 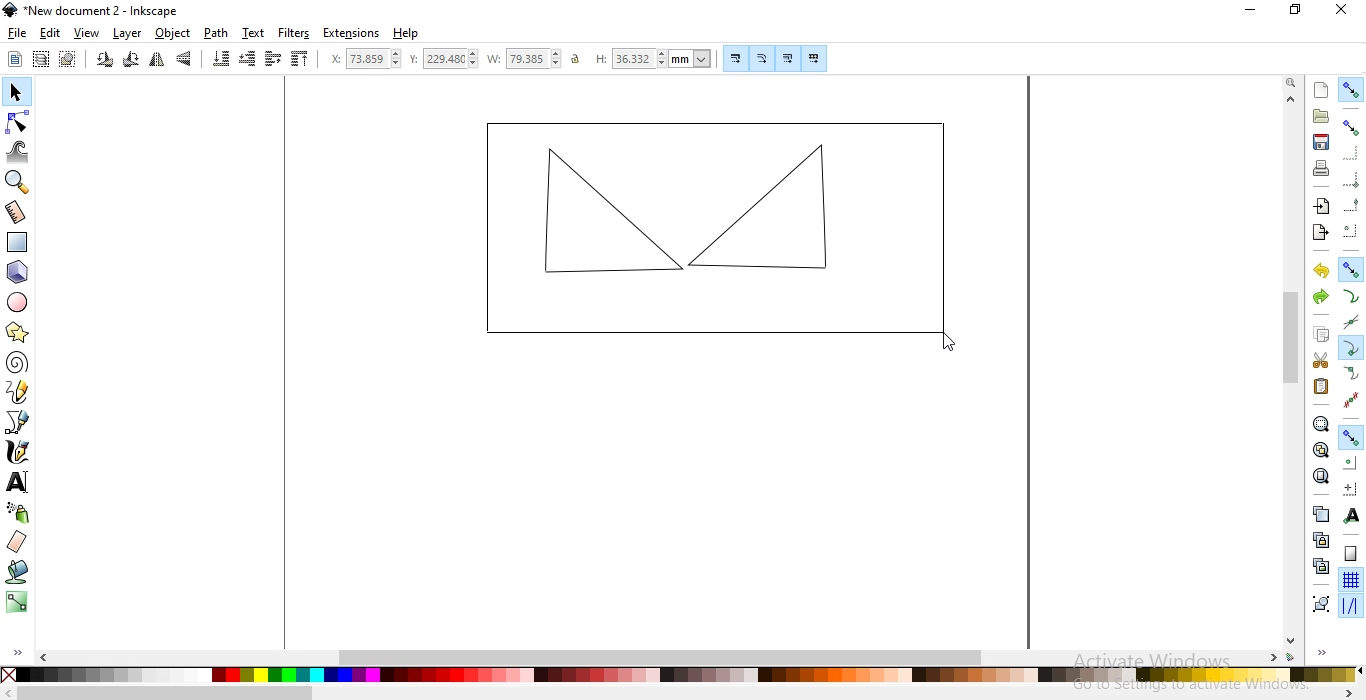 I want to click on snap smooth nodes incl quadrant points of ellipses, so click(x=1351, y=373).